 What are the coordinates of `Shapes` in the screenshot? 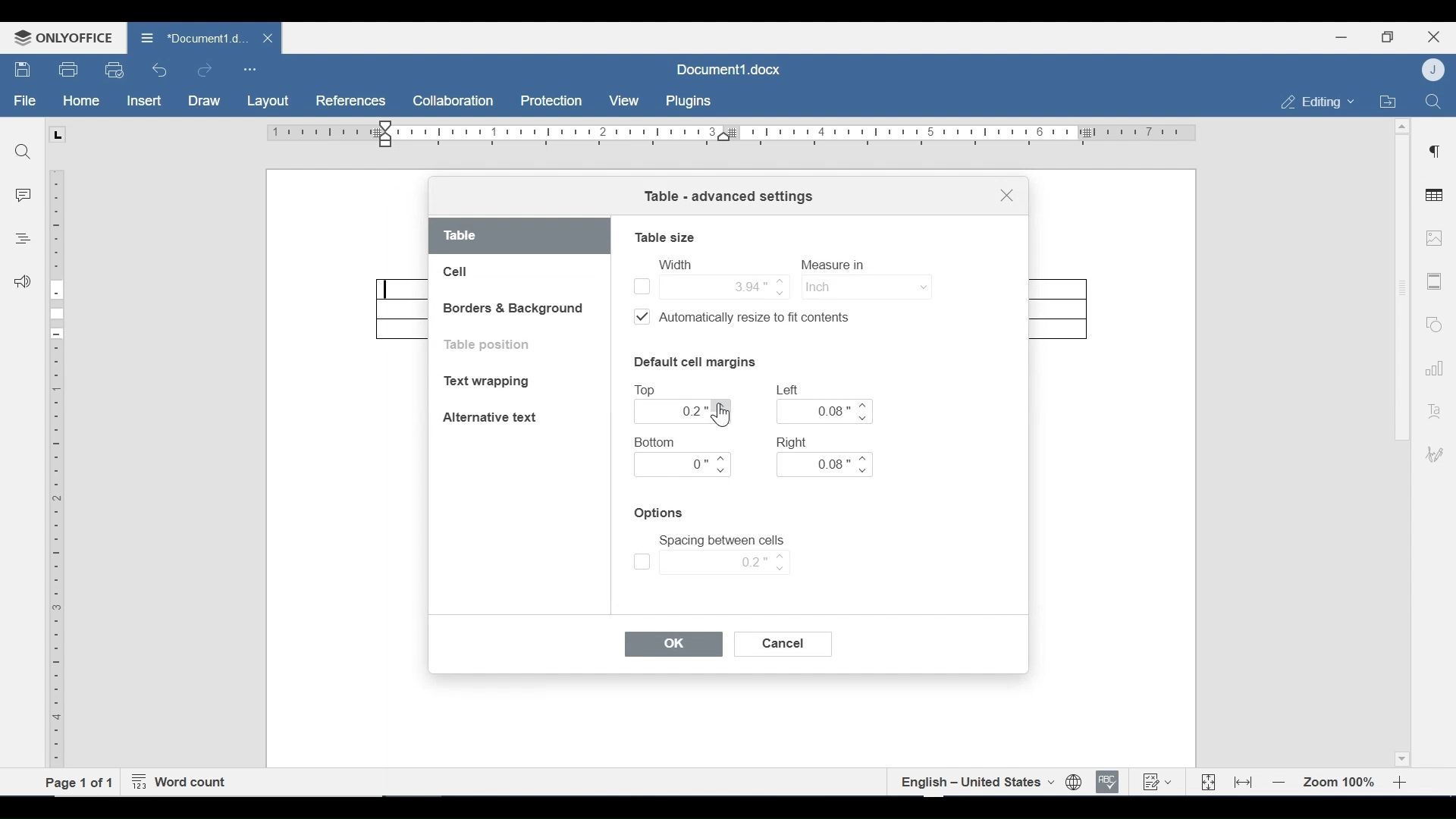 It's located at (1432, 322).